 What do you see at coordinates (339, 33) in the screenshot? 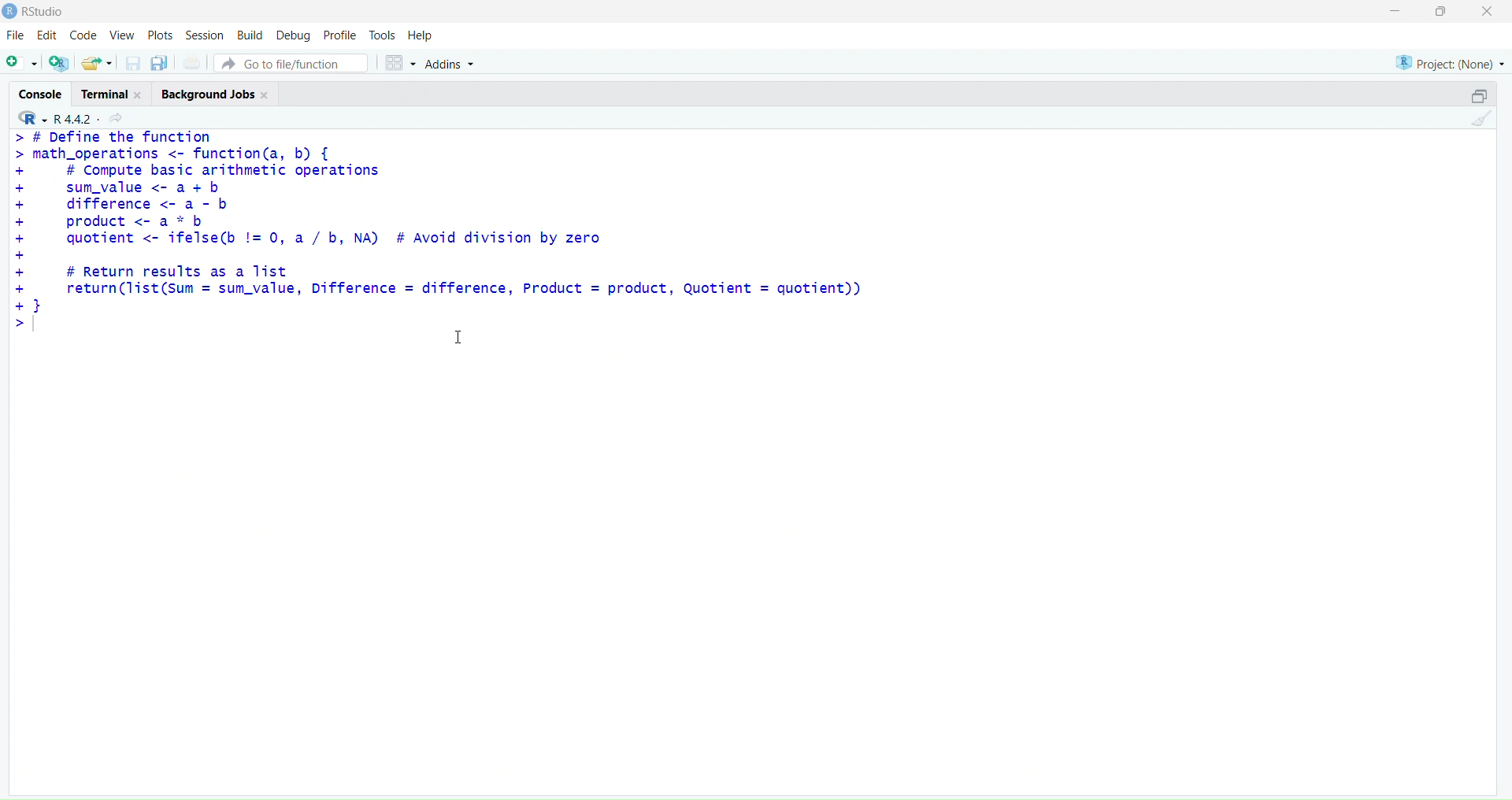
I see `Profile` at bounding box center [339, 33].